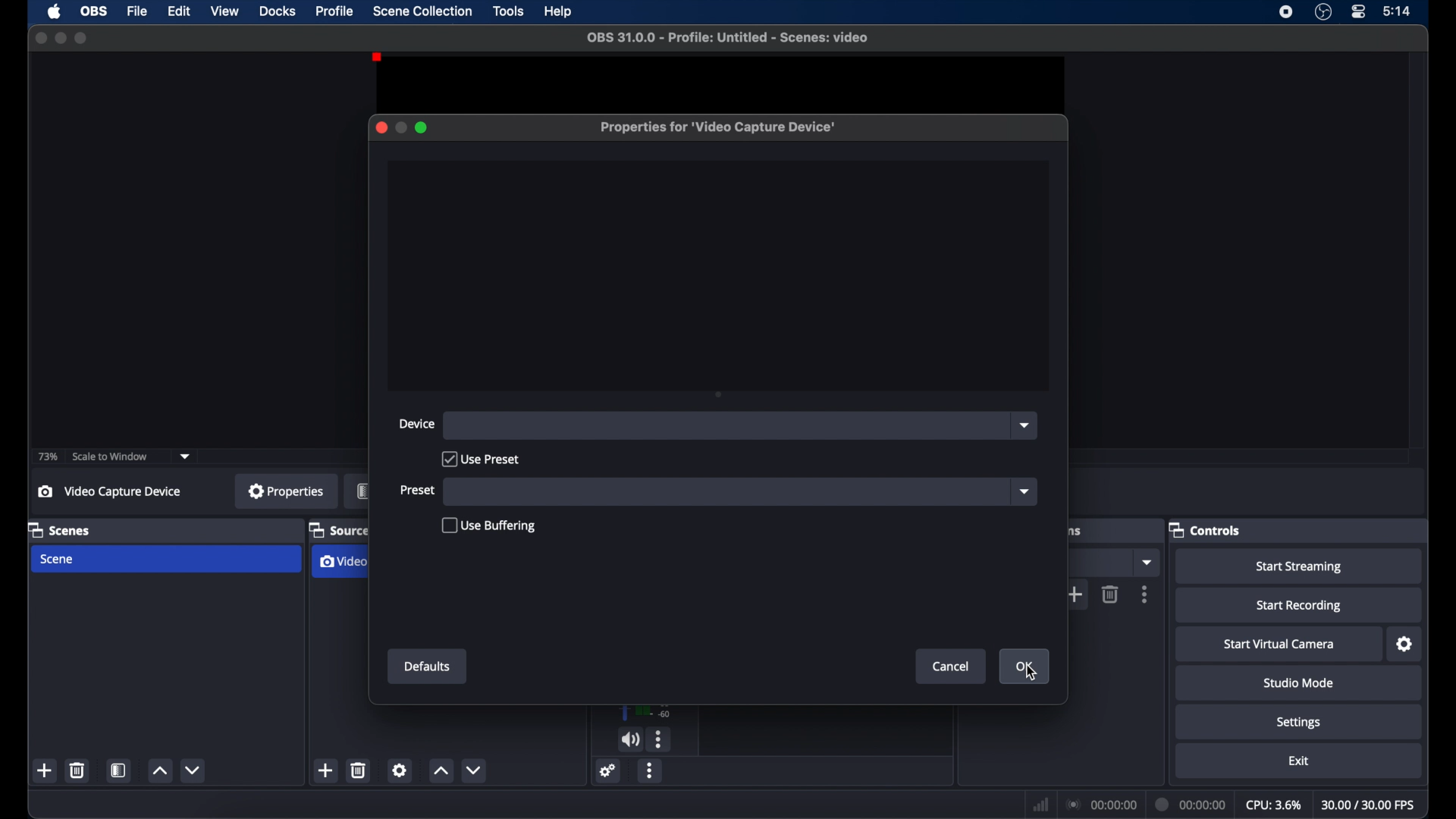  What do you see at coordinates (1300, 567) in the screenshot?
I see `start streaming` at bounding box center [1300, 567].